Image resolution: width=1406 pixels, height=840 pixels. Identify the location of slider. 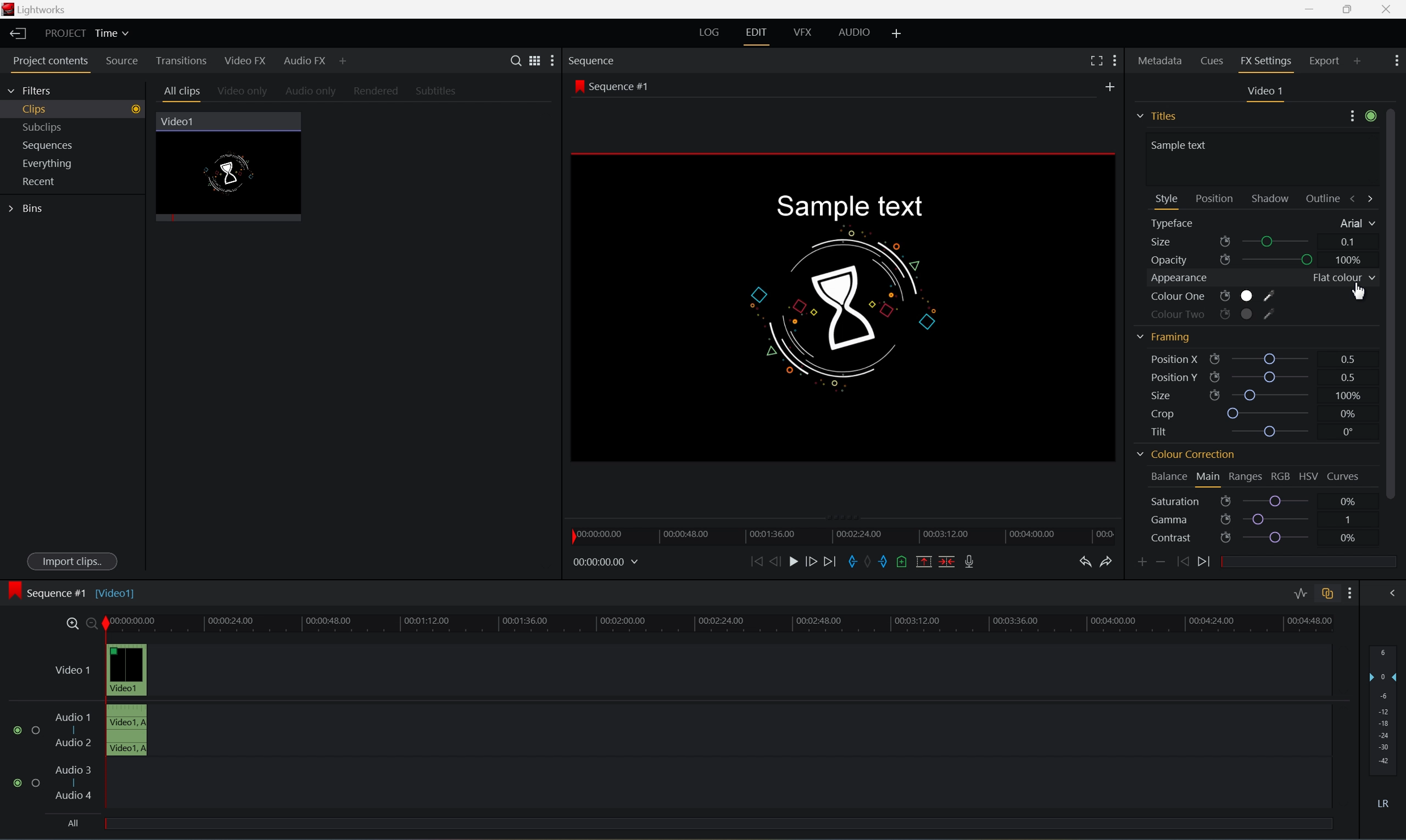
(1279, 501).